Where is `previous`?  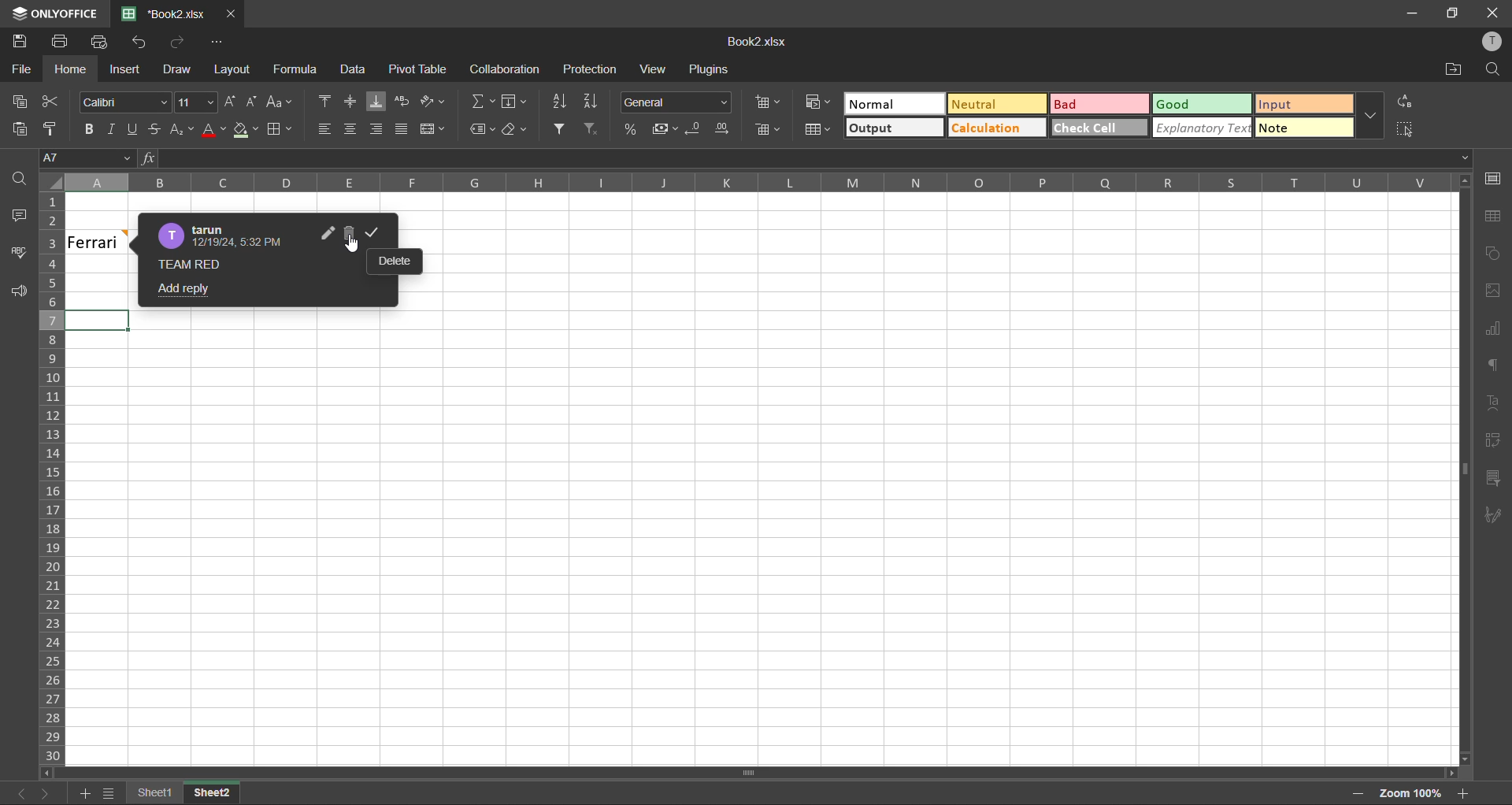 previous is located at coordinates (16, 792).